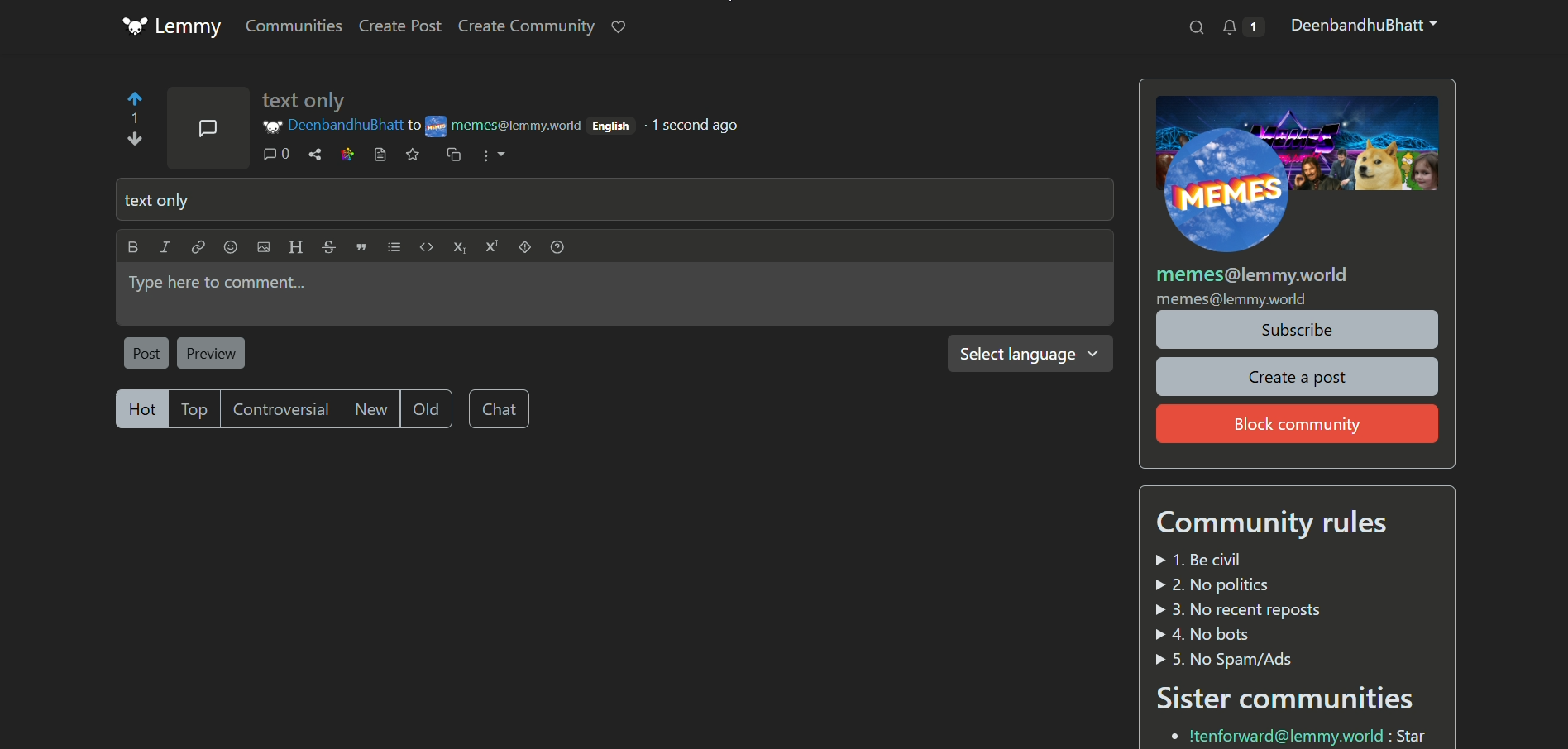 The height and width of the screenshot is (749, 1568). I want to click on language, so click(614, 126).